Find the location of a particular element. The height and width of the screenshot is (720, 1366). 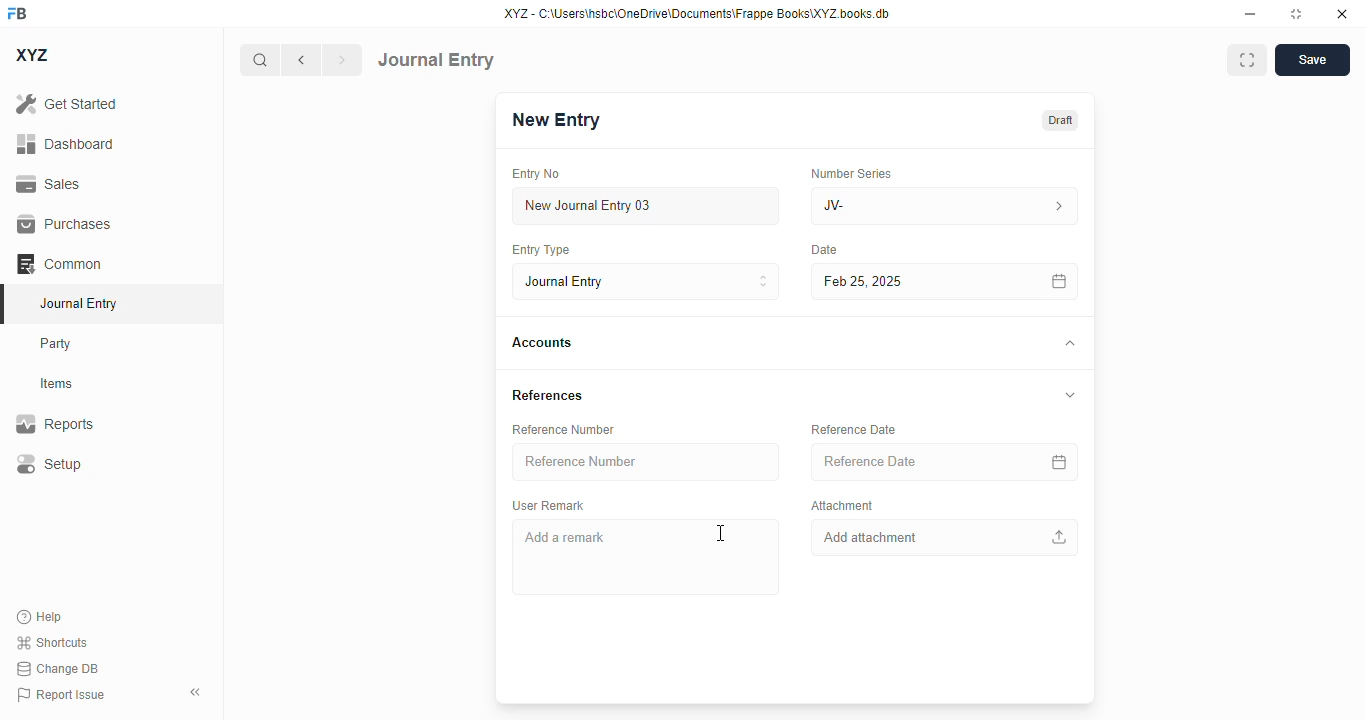

number series is located at coordinates (846, 173).